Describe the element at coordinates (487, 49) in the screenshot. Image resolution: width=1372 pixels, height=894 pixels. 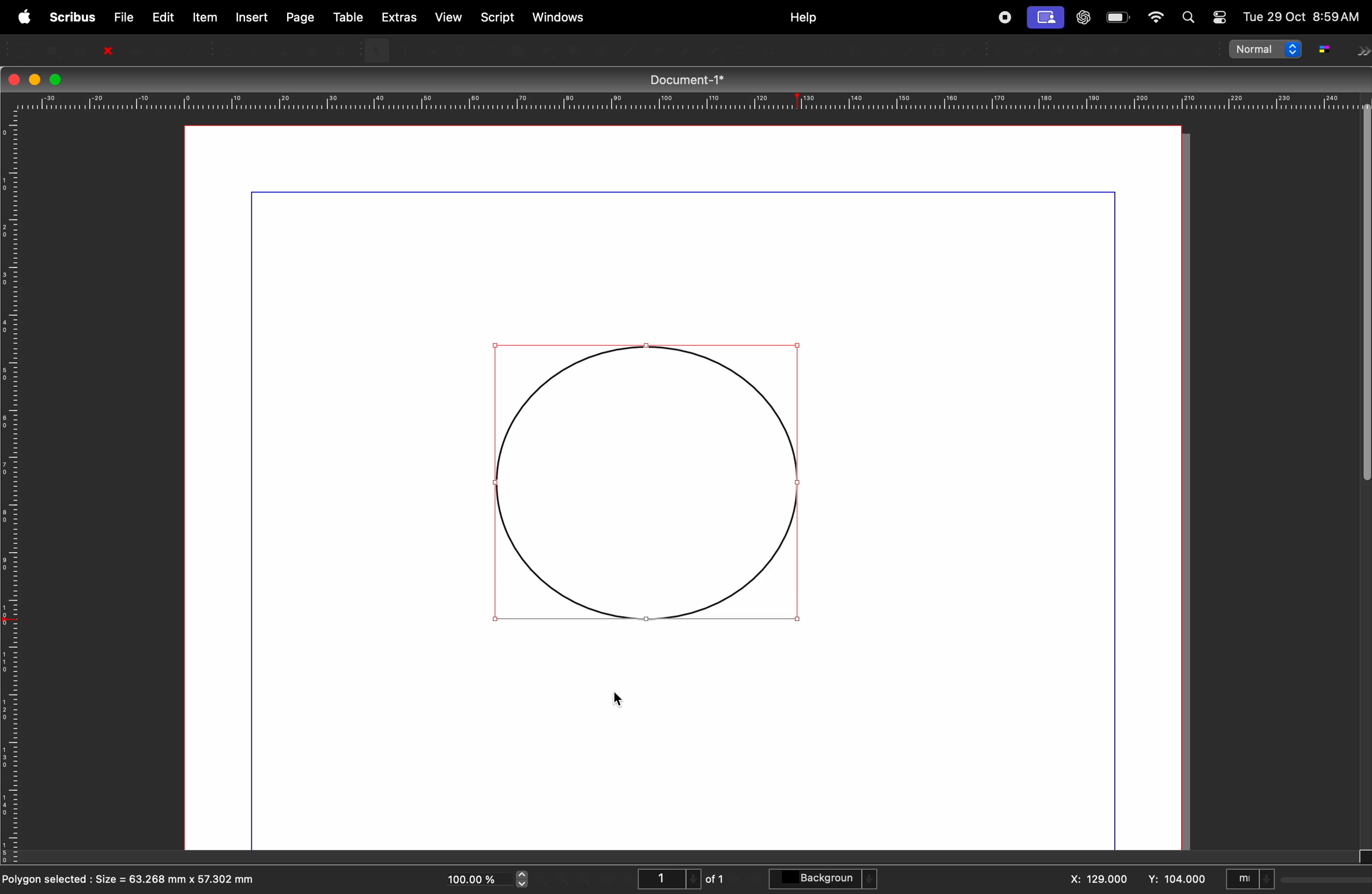
I see `Table` at that location.